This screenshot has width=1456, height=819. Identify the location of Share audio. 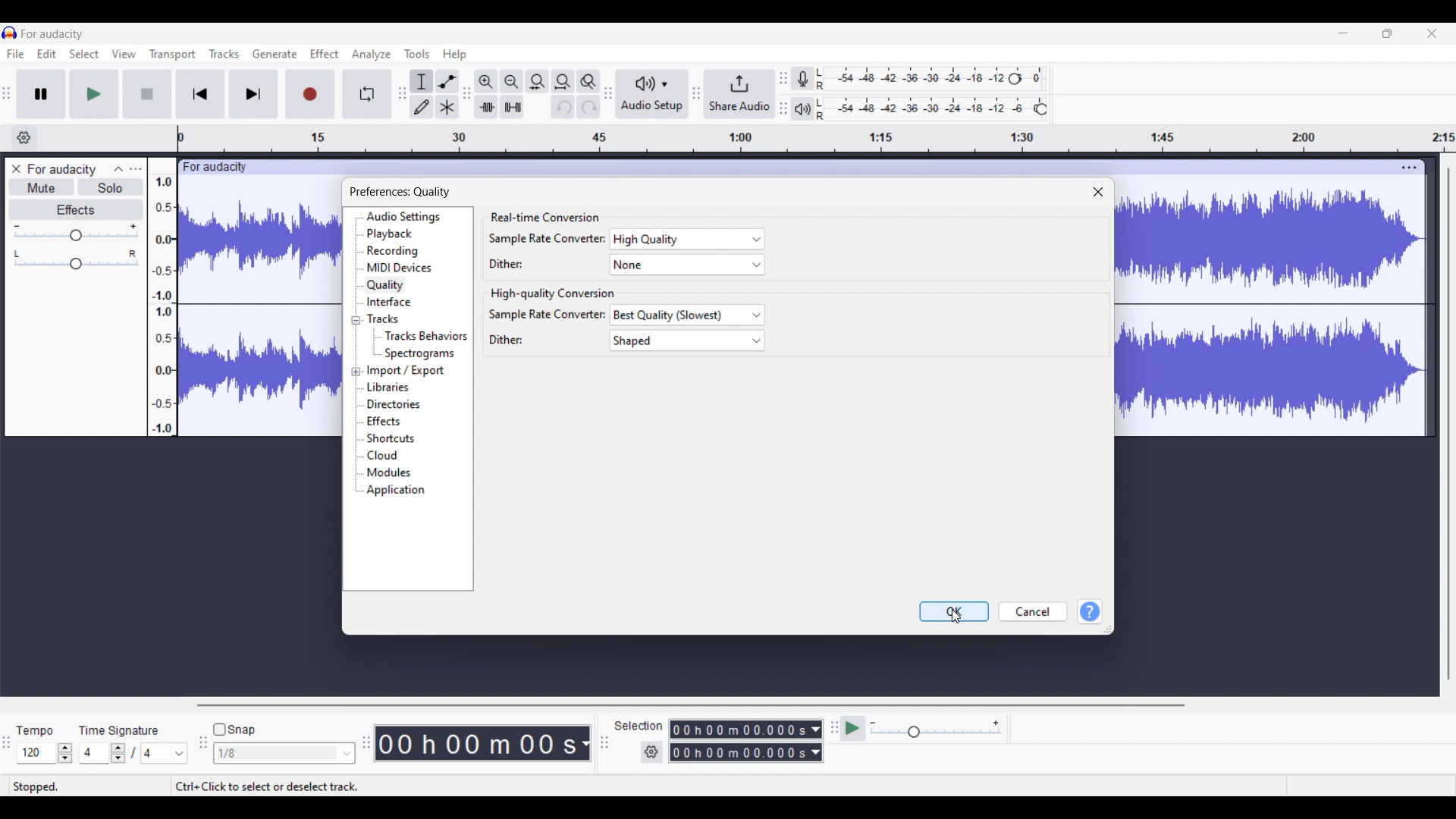
(739, 94).